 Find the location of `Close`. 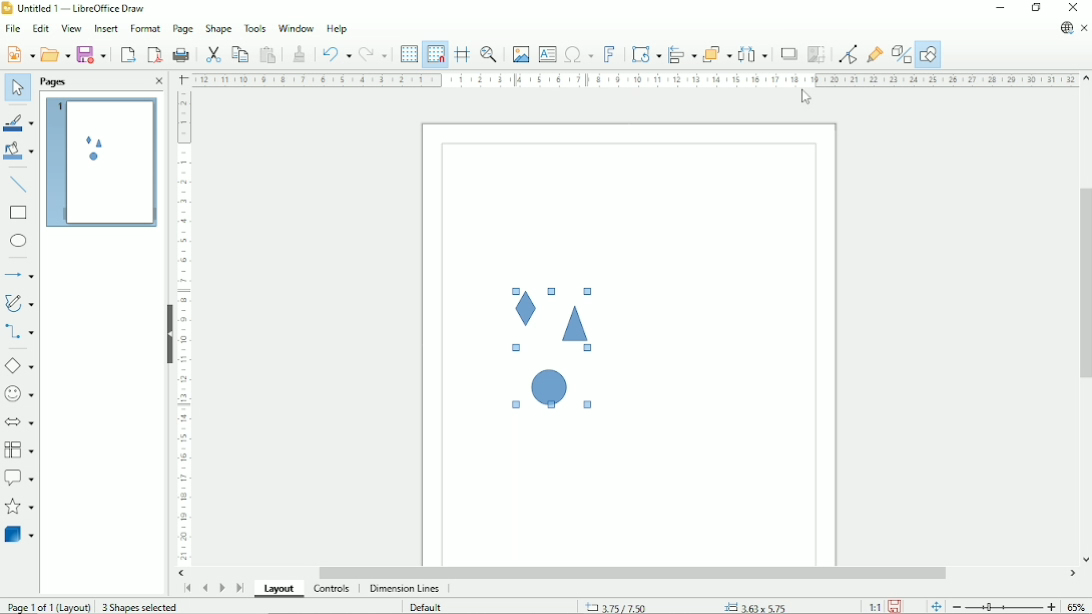

Close is located at coordinates (1074, 8).